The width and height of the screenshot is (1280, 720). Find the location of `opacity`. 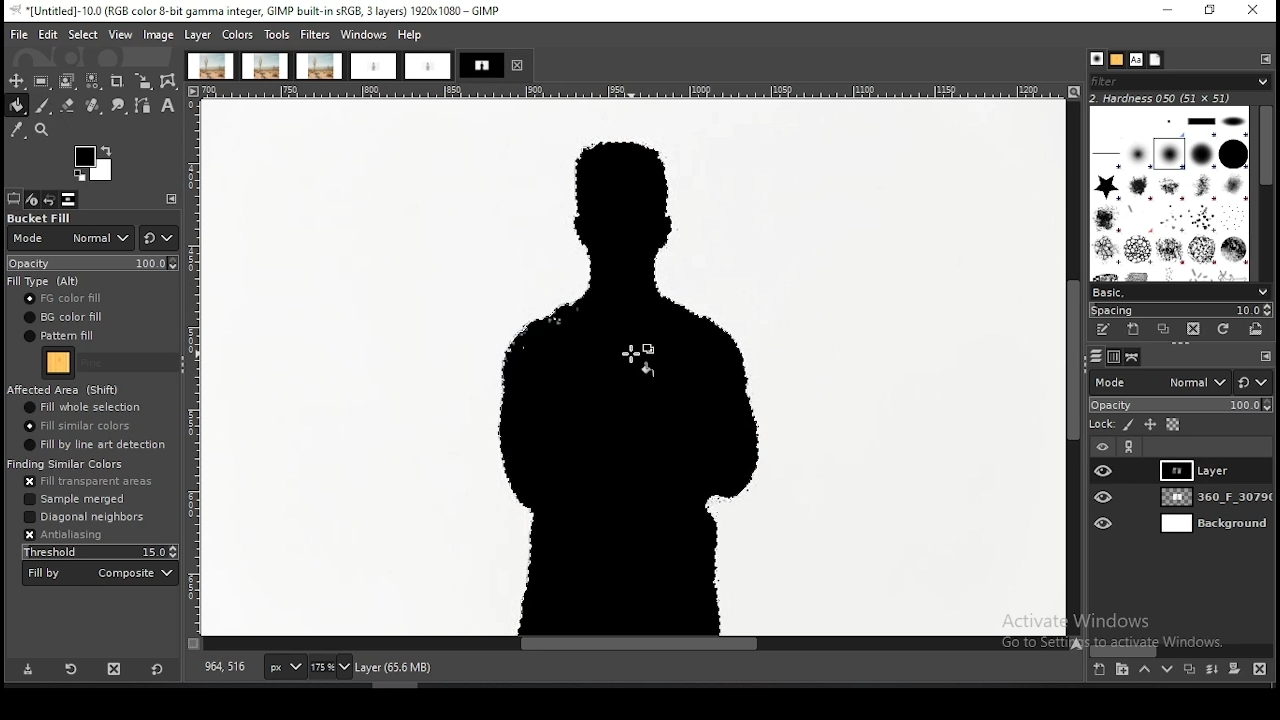

opacity is located at coordinates (94, 262).